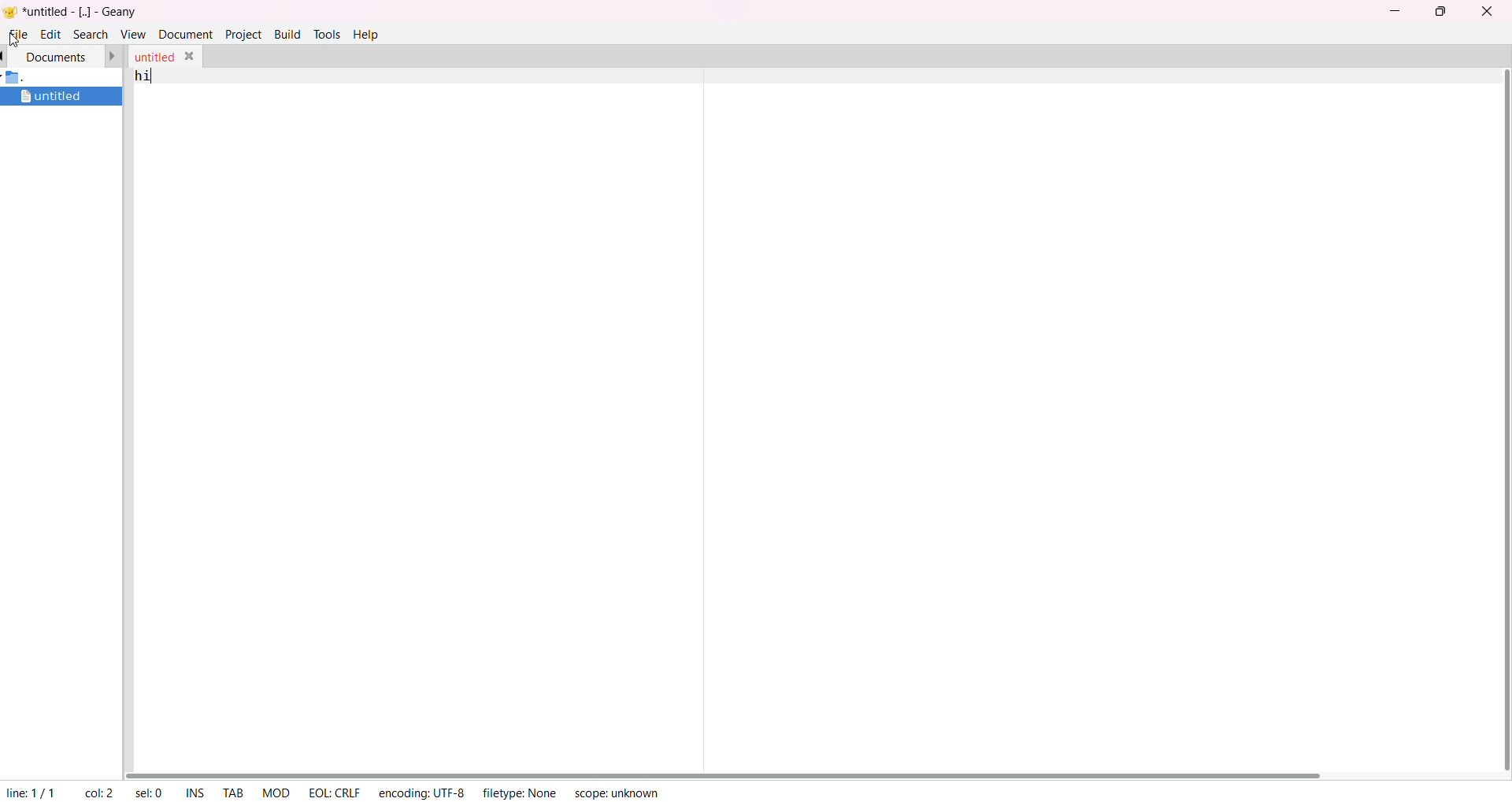 This screenshot has width=1512, height=802. What do you see at coordinates (35, 793) in the screenshot?
I see `line 1/1` at bounding box center [35, 793].